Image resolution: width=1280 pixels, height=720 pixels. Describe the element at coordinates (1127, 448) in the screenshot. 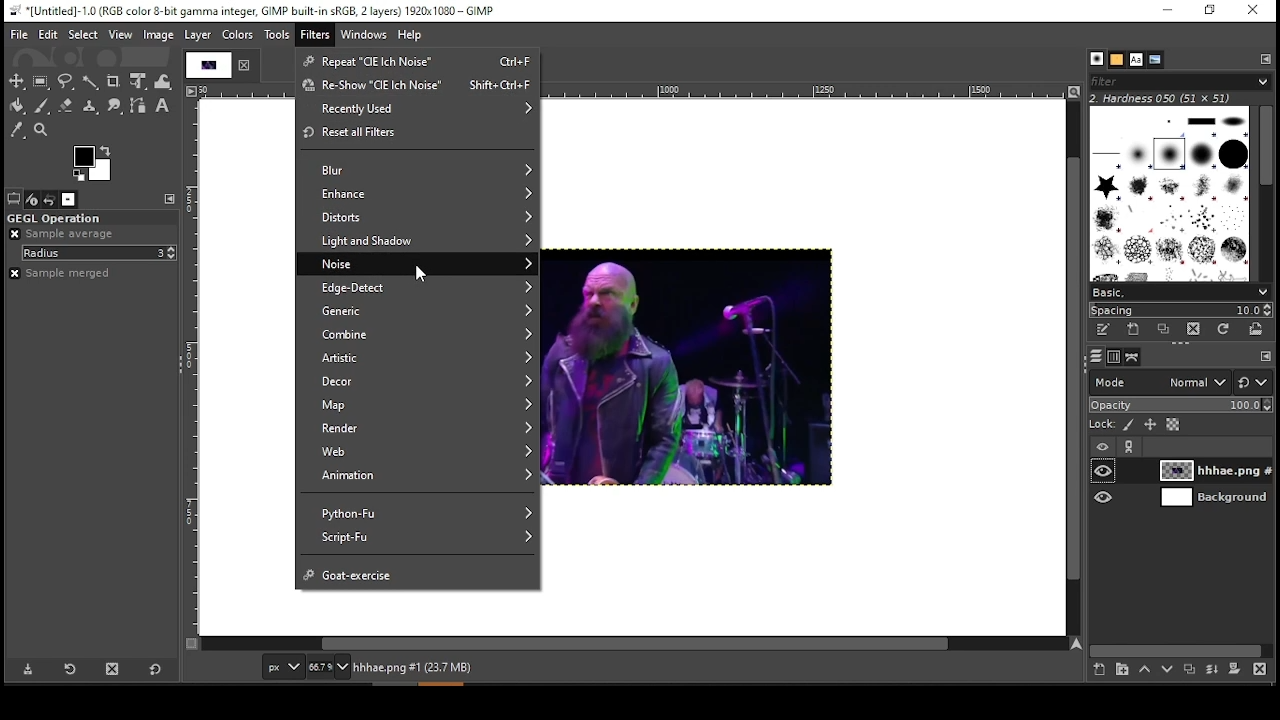

I see `link` at that location.